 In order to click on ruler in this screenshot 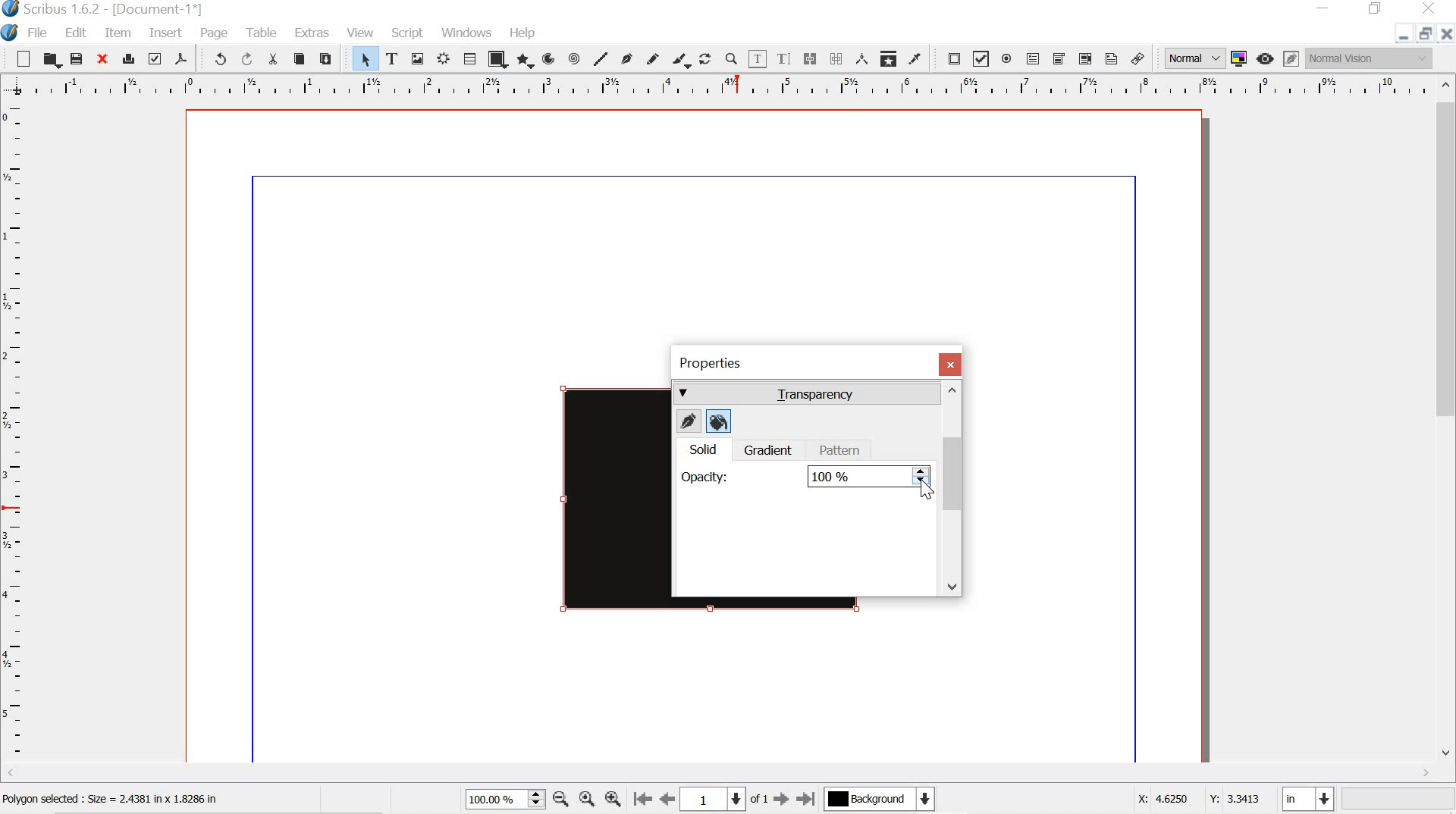, I will do `click(715, 86)`.